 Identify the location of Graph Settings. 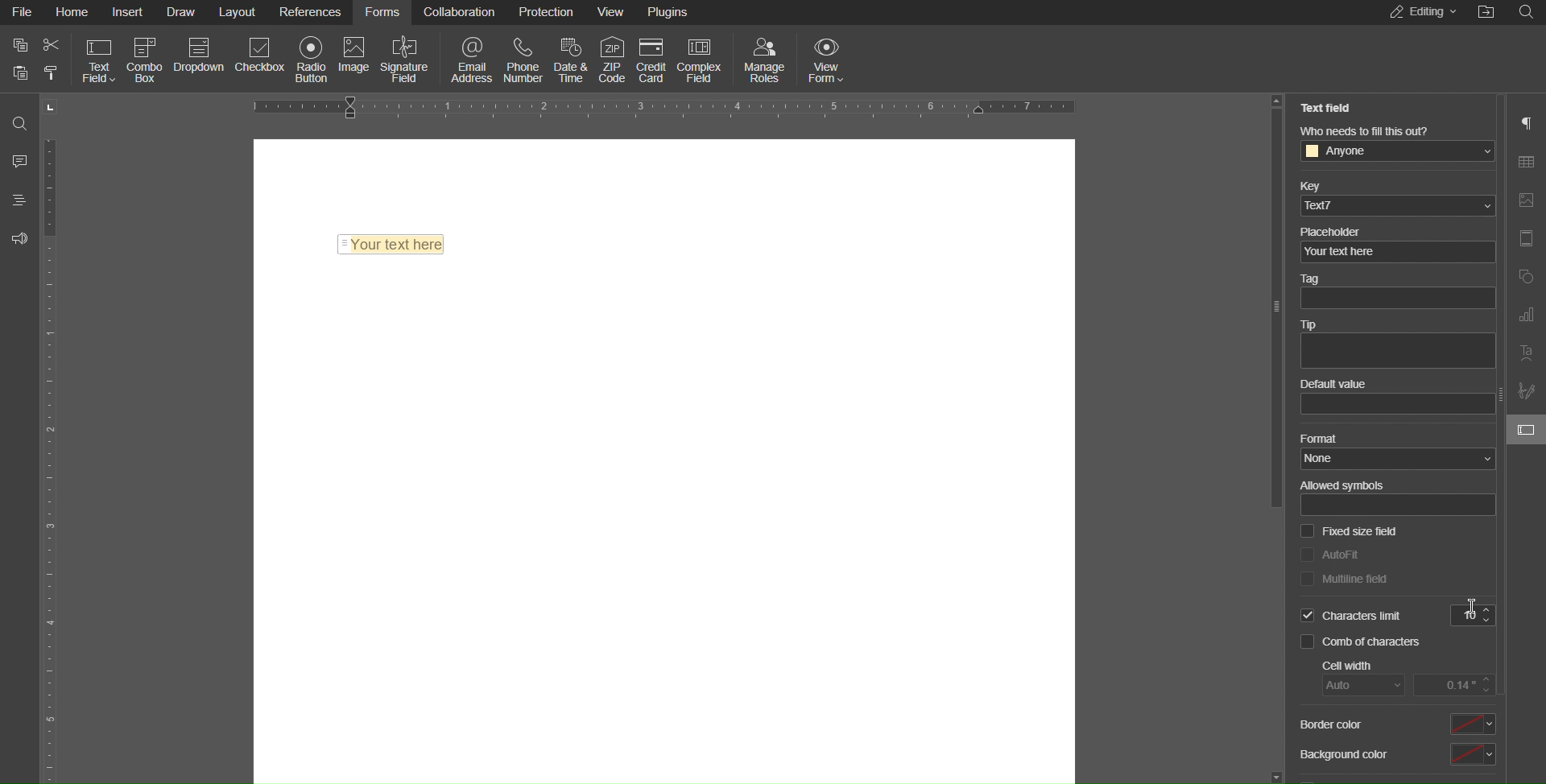
(1525, 316).